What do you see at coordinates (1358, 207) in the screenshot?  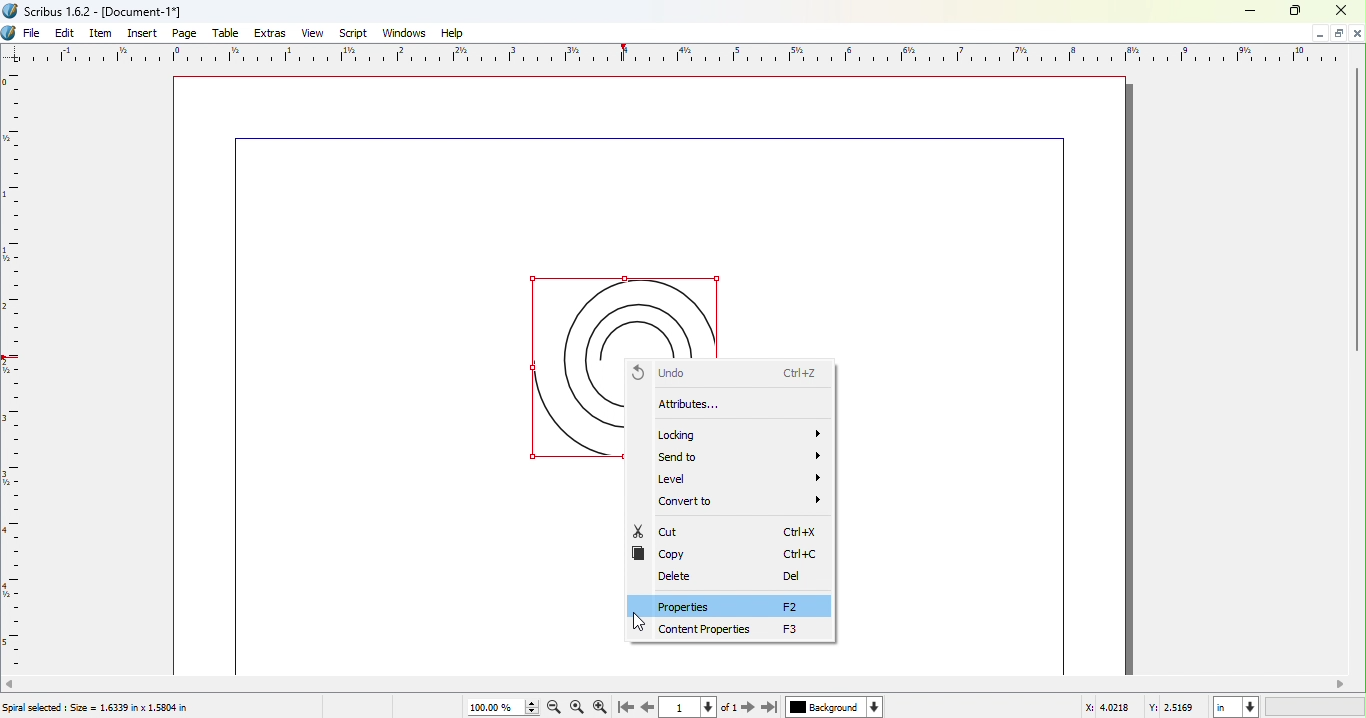 I see `Vertical scroll bar` at bounding box center [1358, 207].